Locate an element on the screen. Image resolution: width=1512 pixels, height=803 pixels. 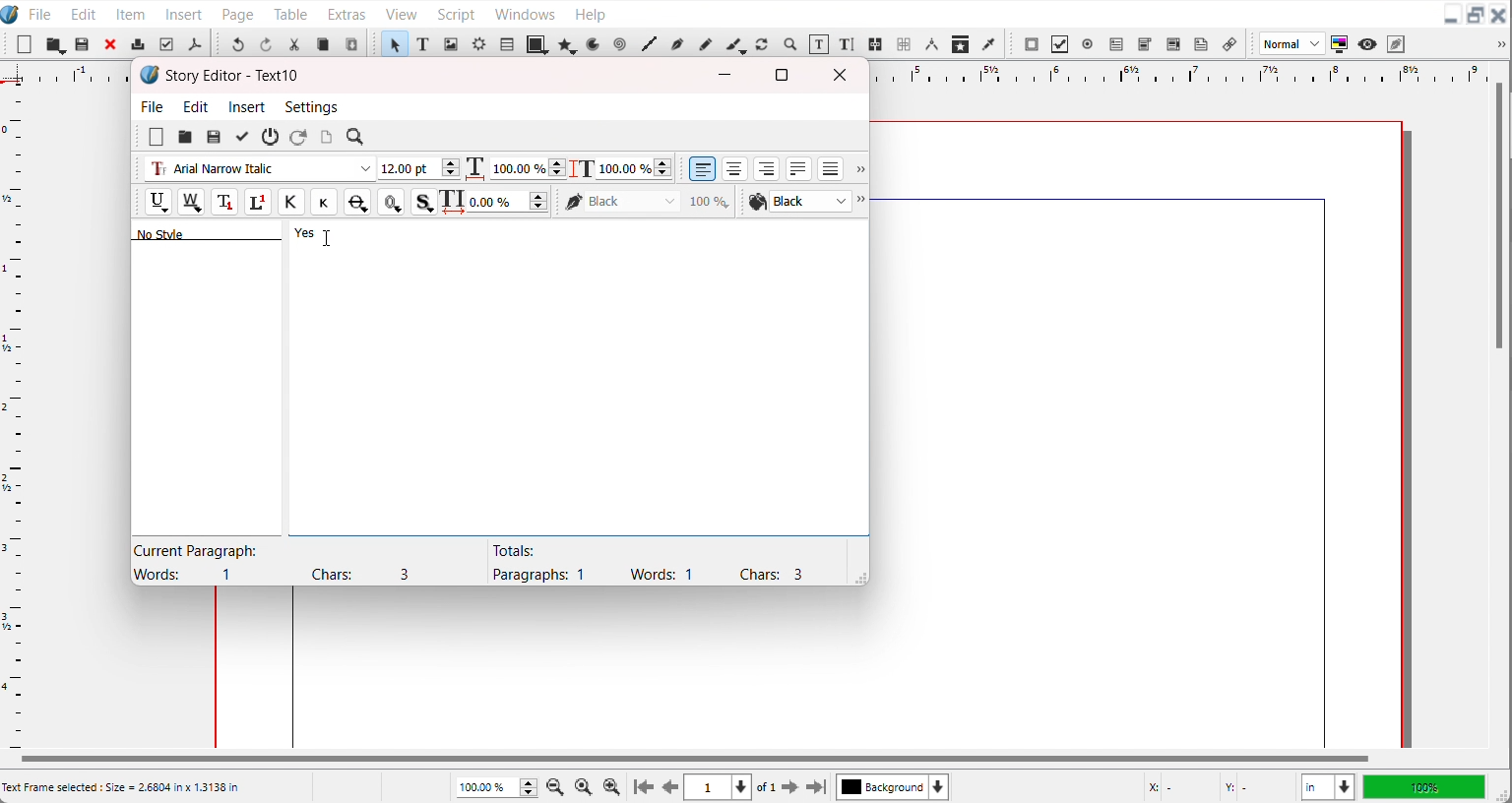
PDF List box is located at coordinates (1174, 44).